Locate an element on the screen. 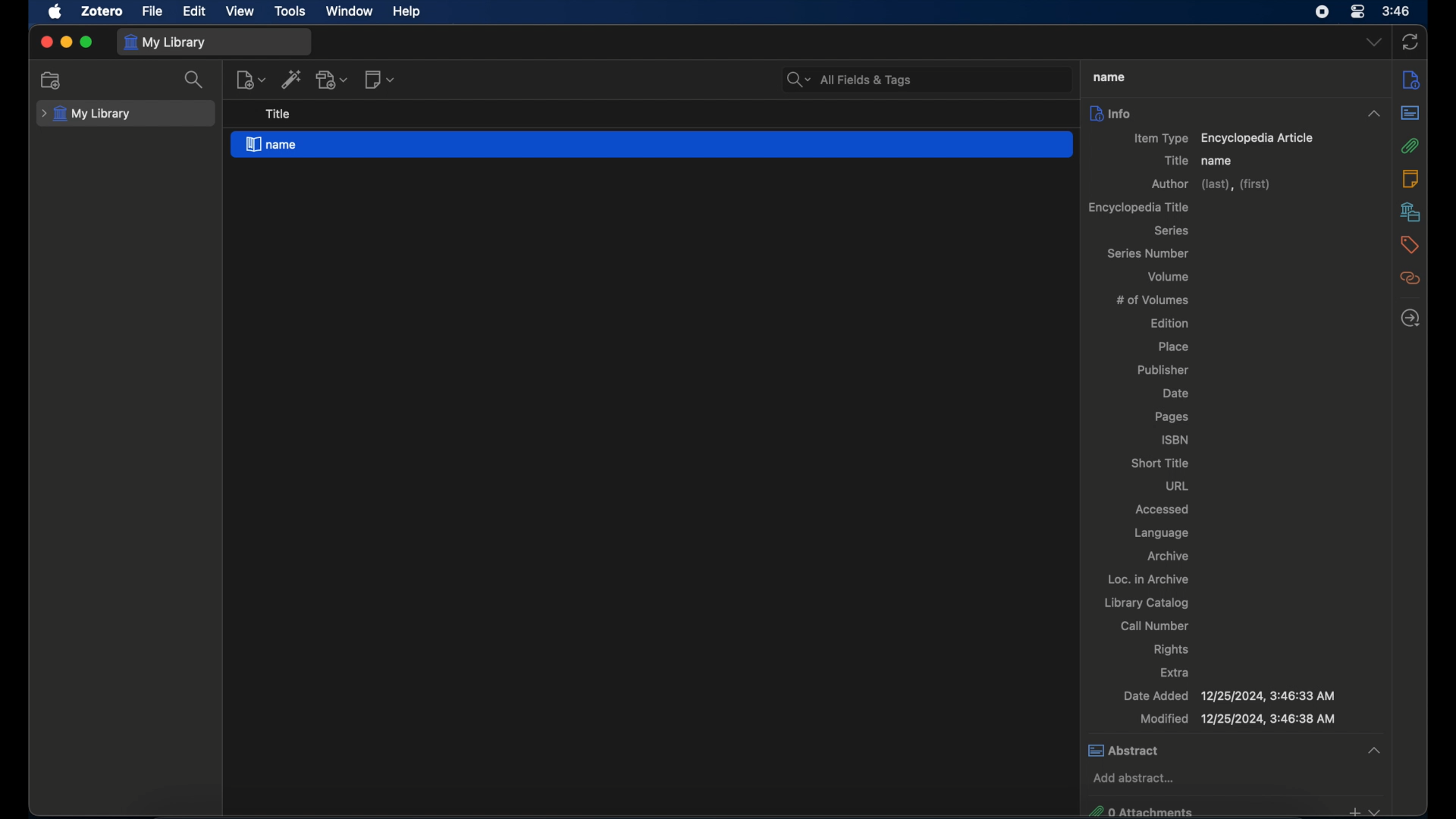  add abstract is located at coordinates (1134, 779).